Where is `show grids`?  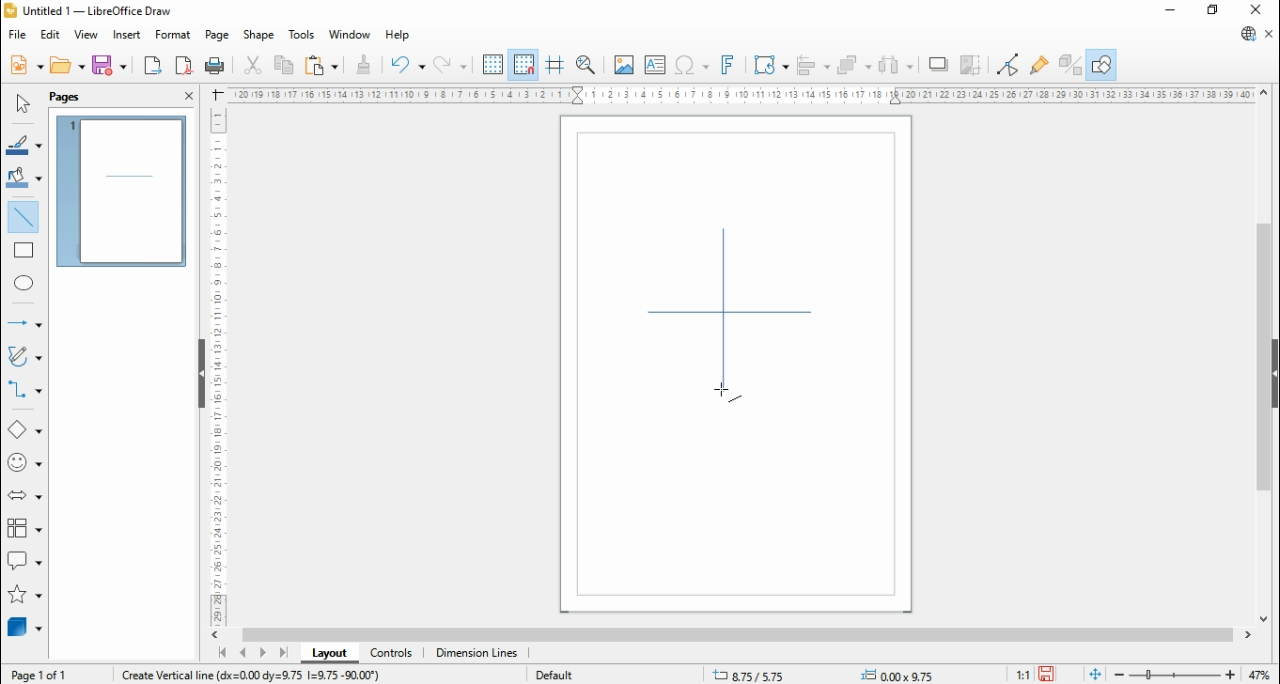
show grids is located at coordinates (493, 64).